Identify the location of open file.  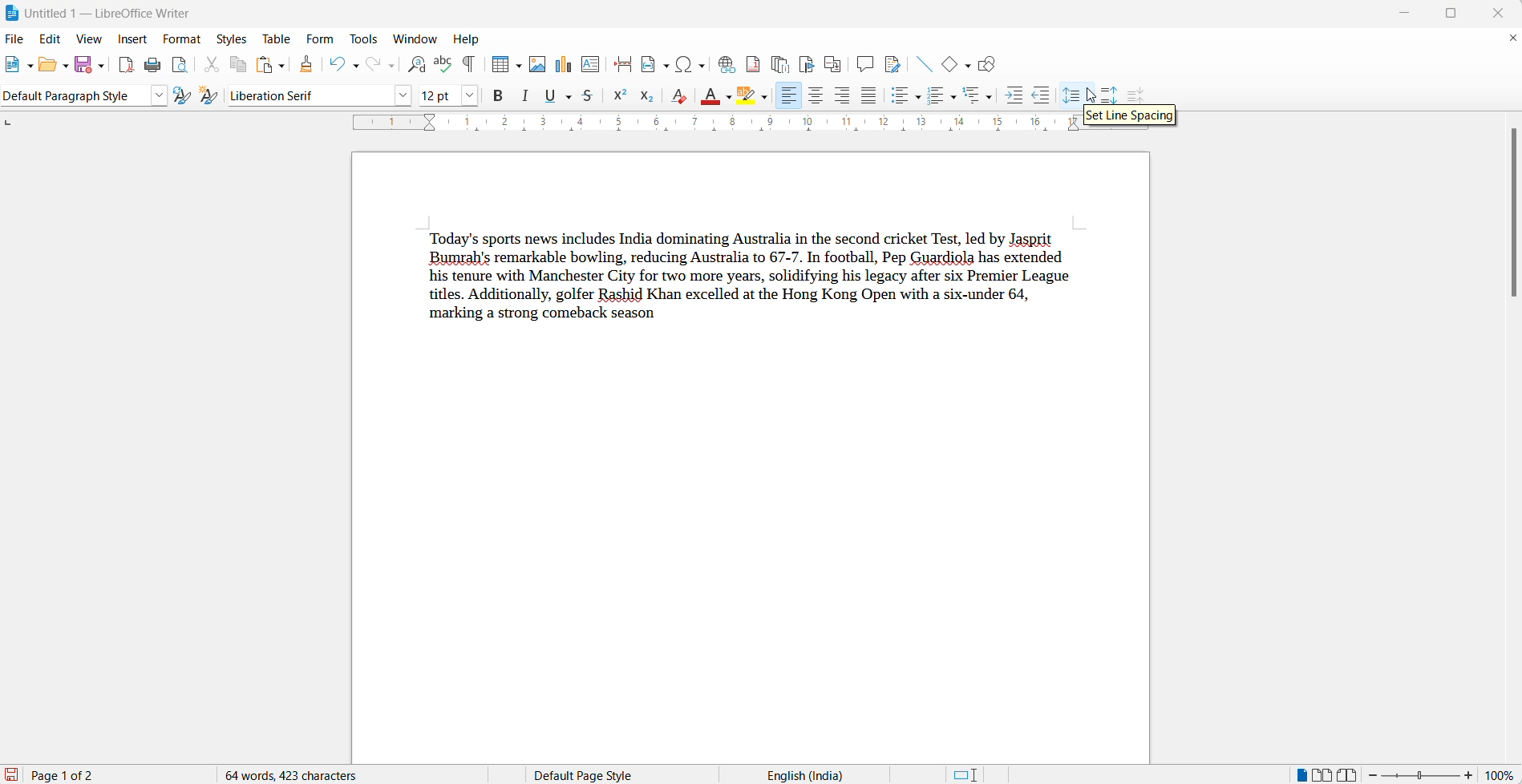
(44, 68).